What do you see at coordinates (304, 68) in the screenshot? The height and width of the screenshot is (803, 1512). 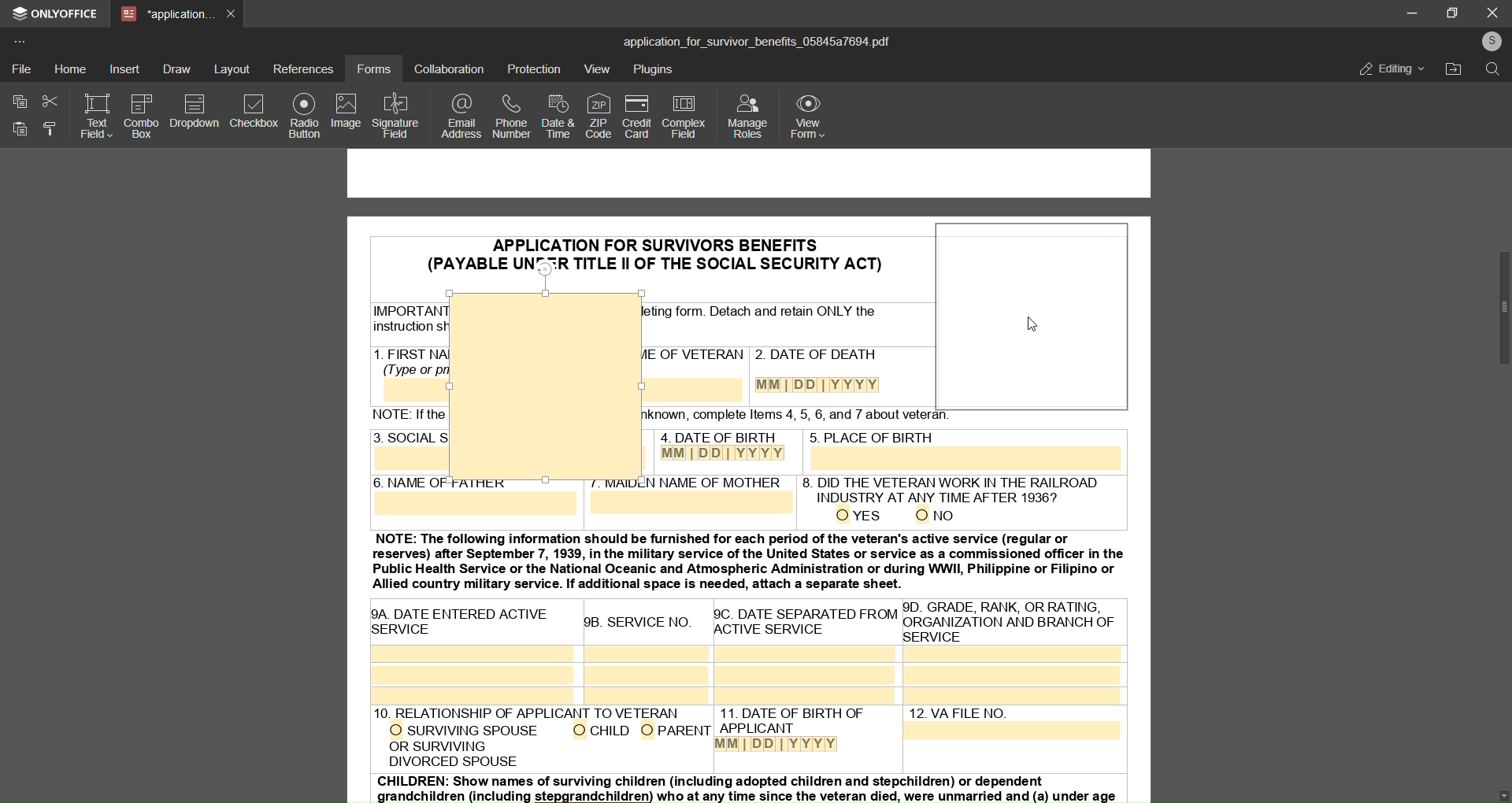 I see `references` at bounding box center [304, 68].